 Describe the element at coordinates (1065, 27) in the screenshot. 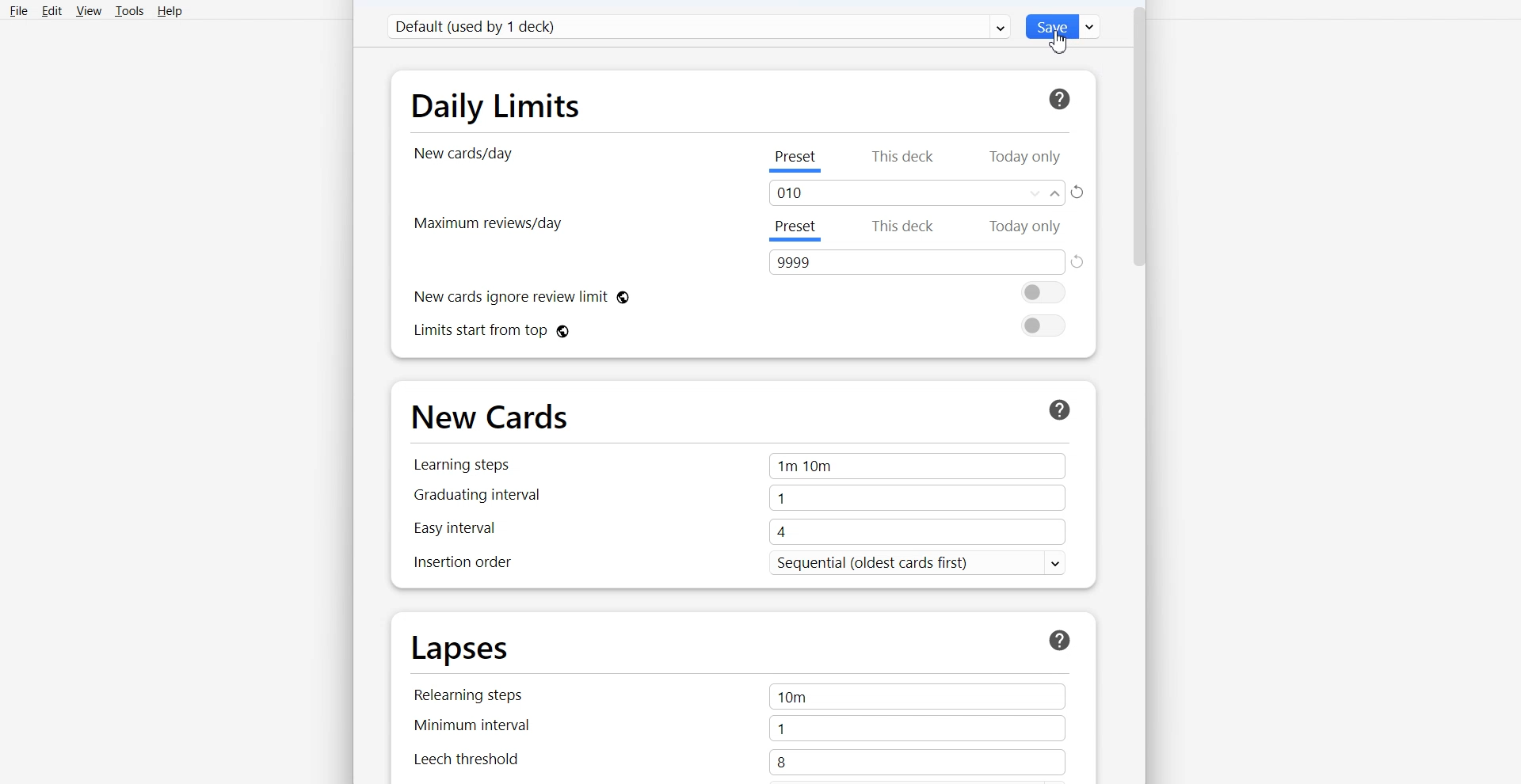

I see `Save` at that location.